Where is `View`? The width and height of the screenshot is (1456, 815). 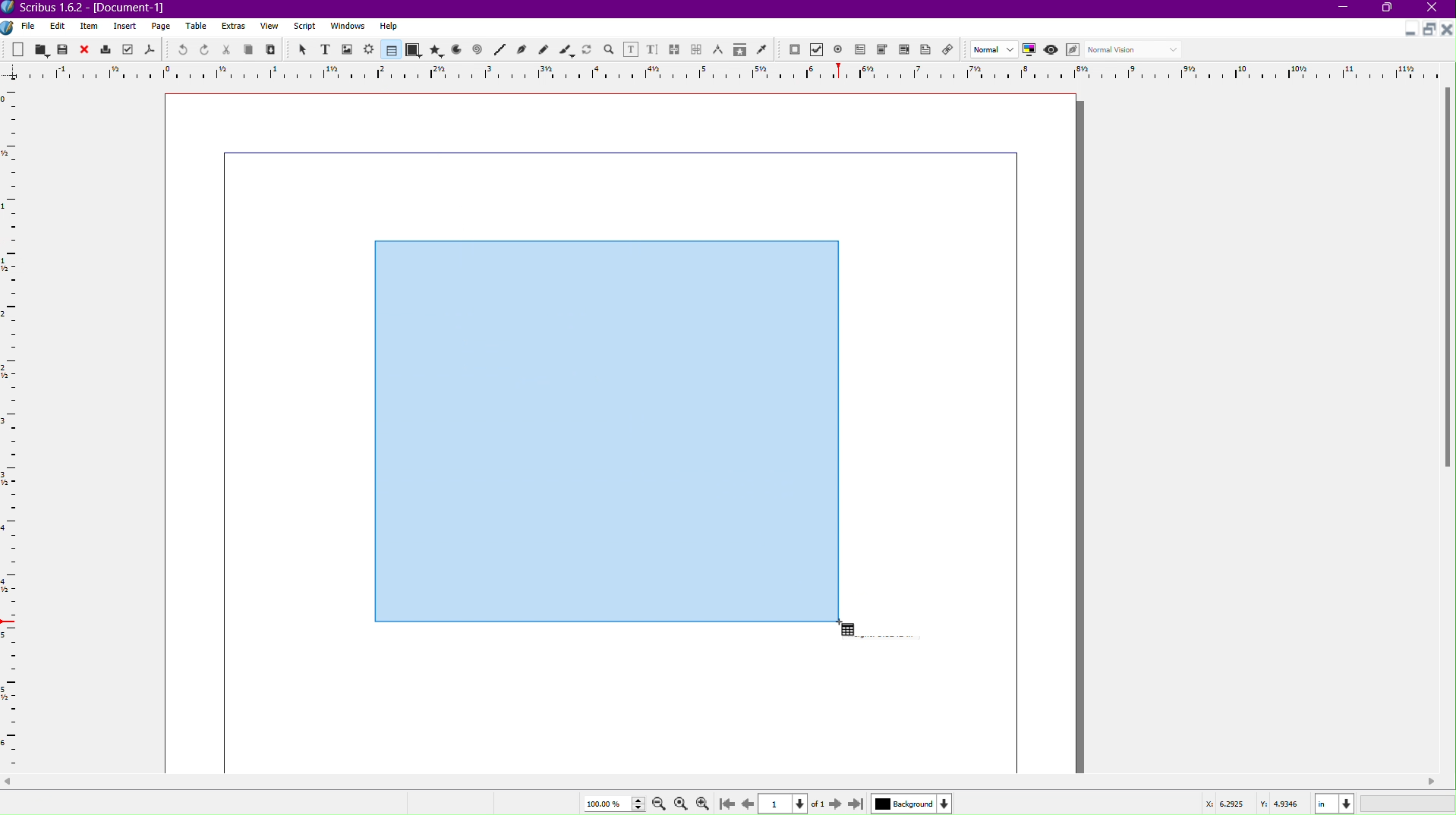
View is located at coordinates (269, 29).